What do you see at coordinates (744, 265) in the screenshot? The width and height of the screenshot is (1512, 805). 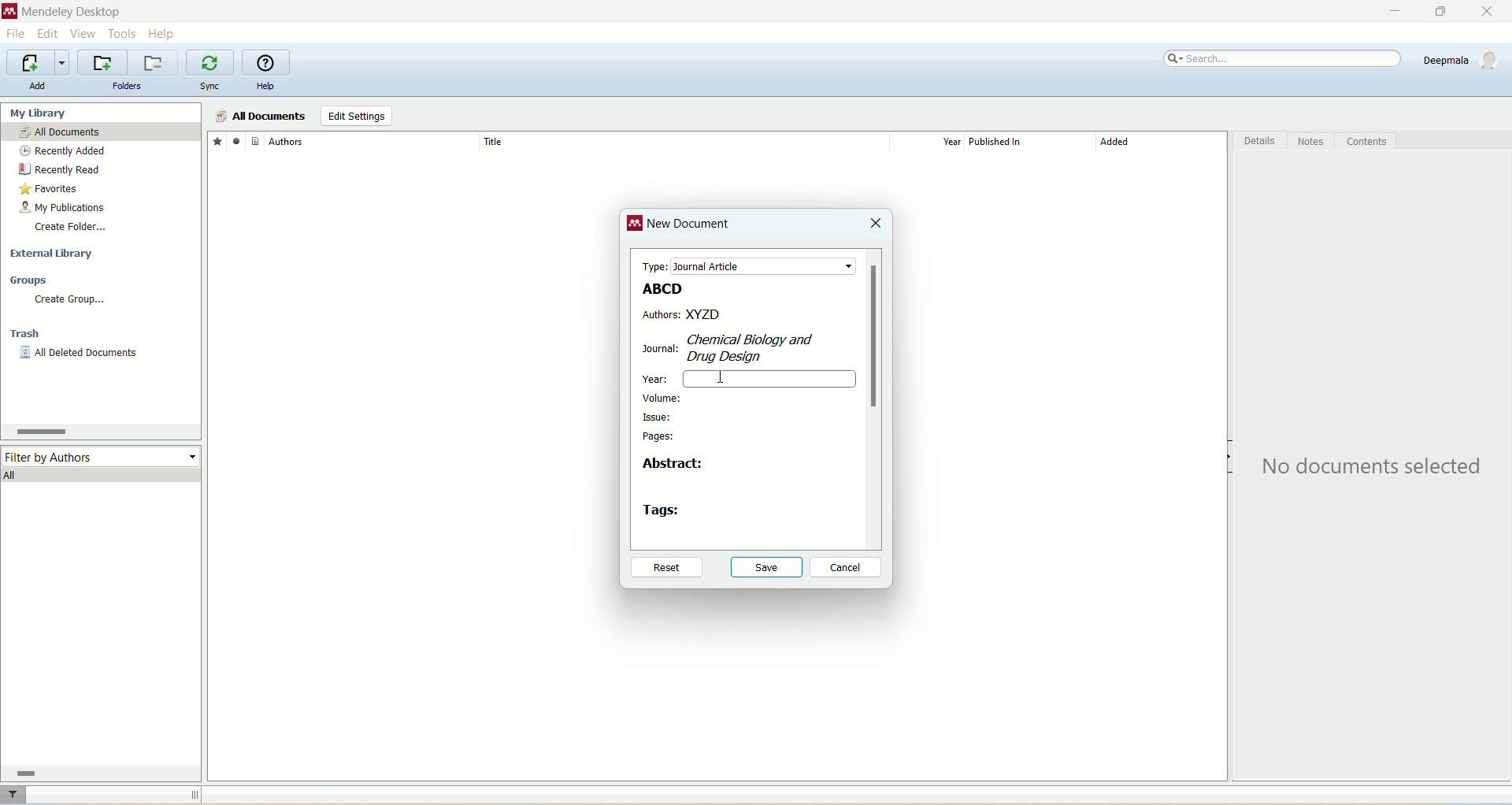 I see `type` at bounding box center [744, 265].